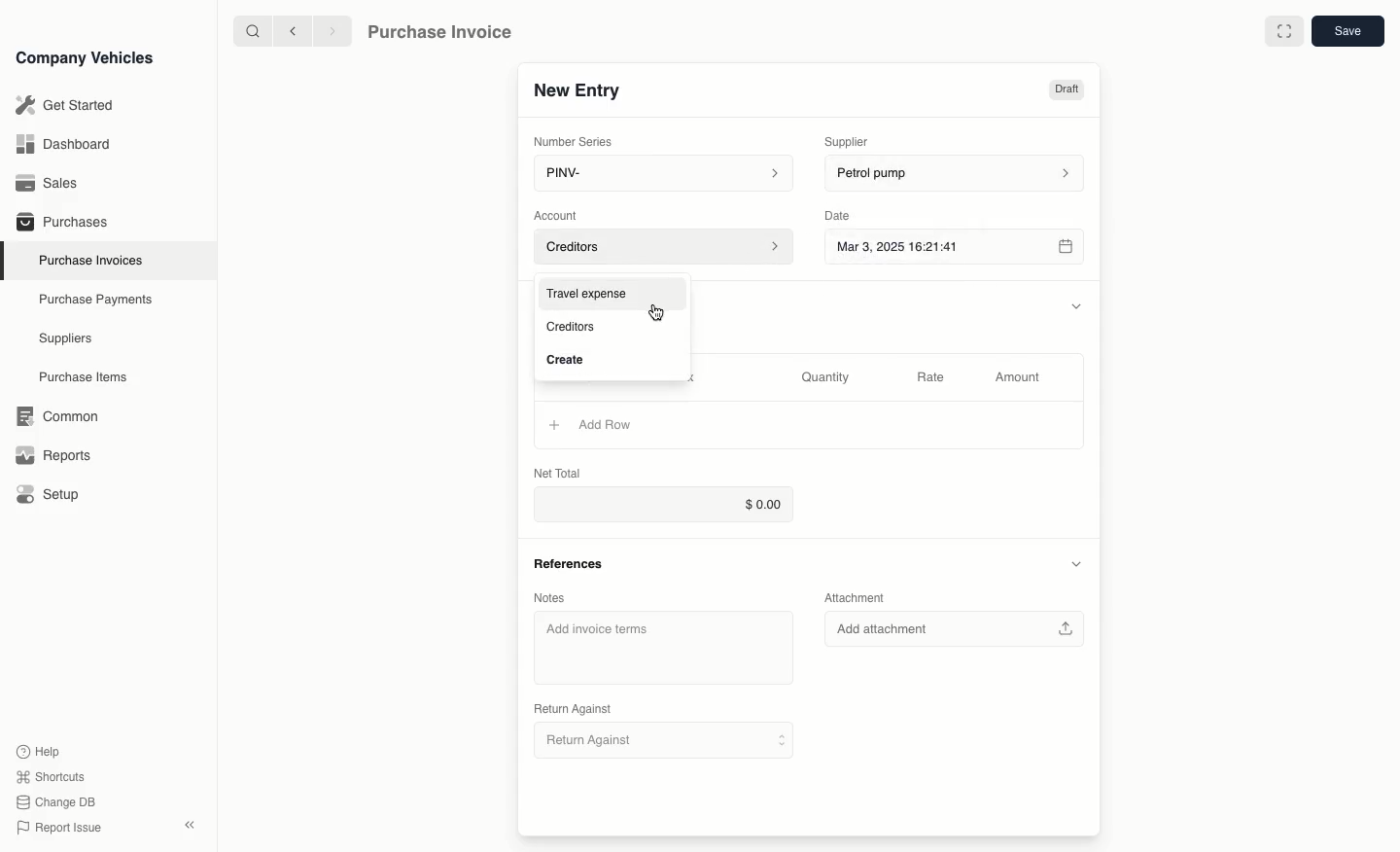  What do you see at coordinates (828, 377) in the screenshot?
I see `Quantity` at bounding box center [828, 377].